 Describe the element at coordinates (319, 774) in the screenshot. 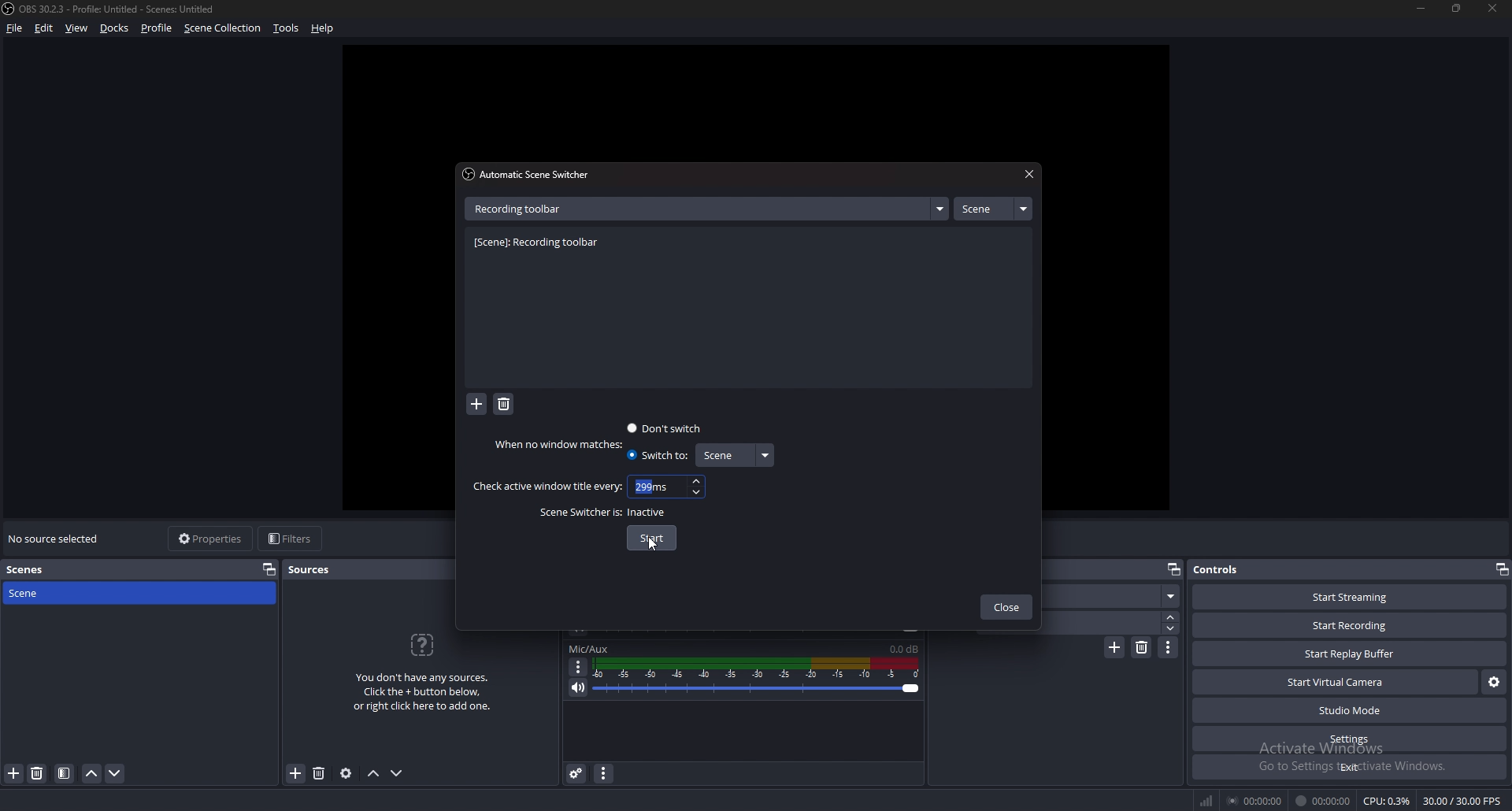

I see `remove source` at that location.